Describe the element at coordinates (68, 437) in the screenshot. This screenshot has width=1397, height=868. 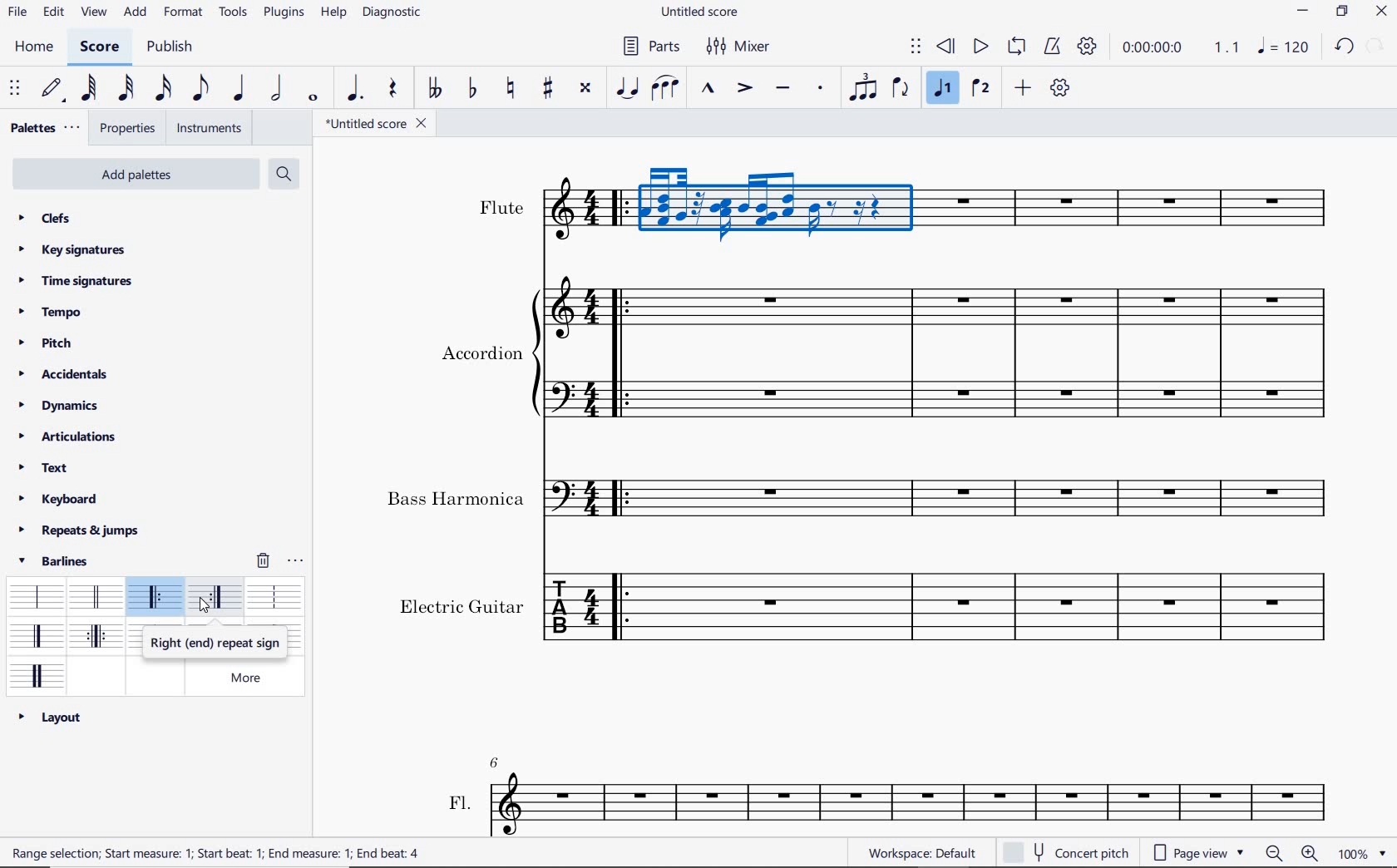
I see `articulations` at that location.